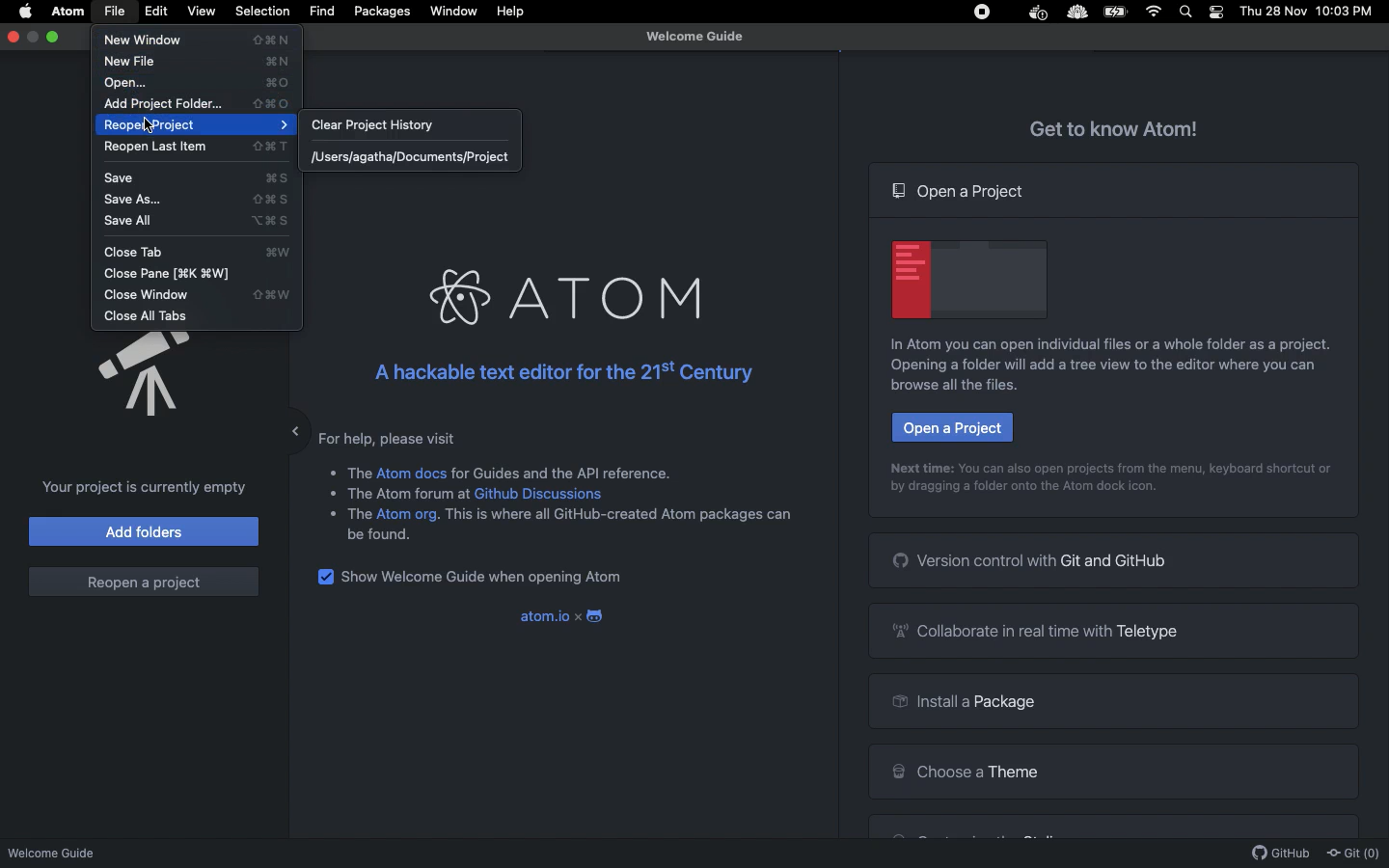 This screenshot has height=868, width=1389. What do you see at coordinates (203, 41) in the screenshot?
I see `New window` at bounding box center [203, 41].